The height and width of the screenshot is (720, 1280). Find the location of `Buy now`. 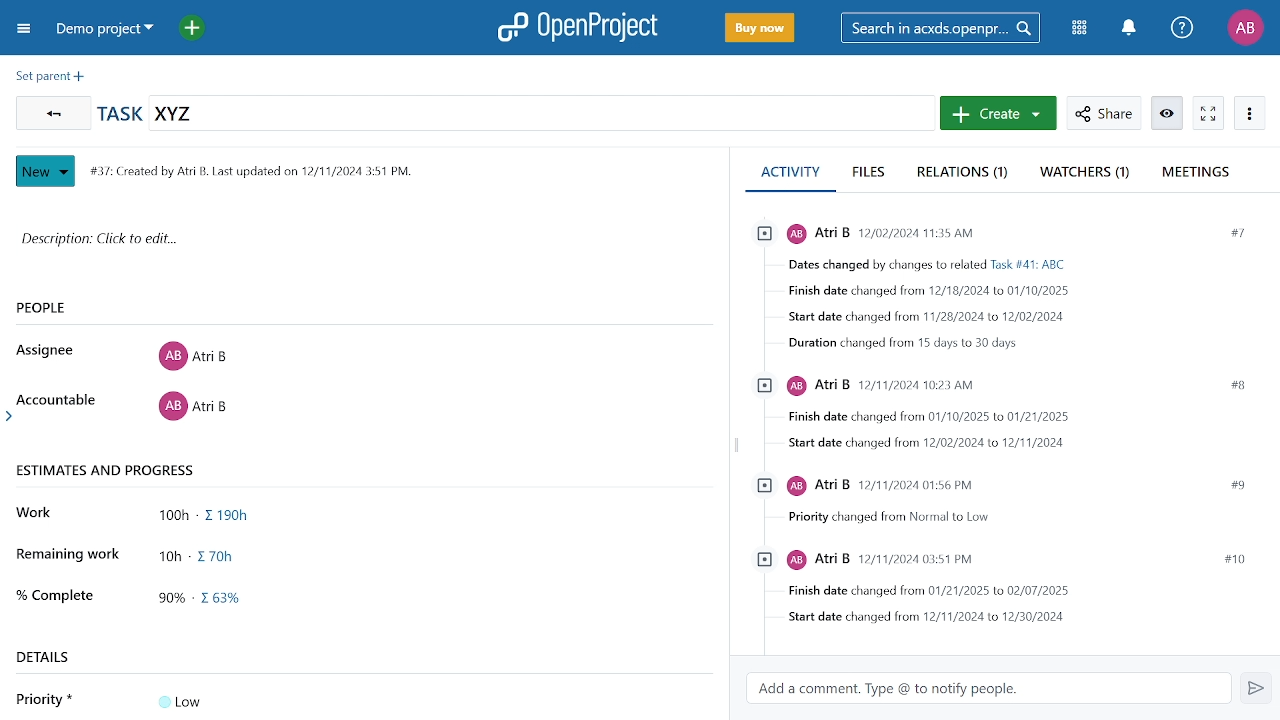

Buy now is located at coordinates (758, 27).